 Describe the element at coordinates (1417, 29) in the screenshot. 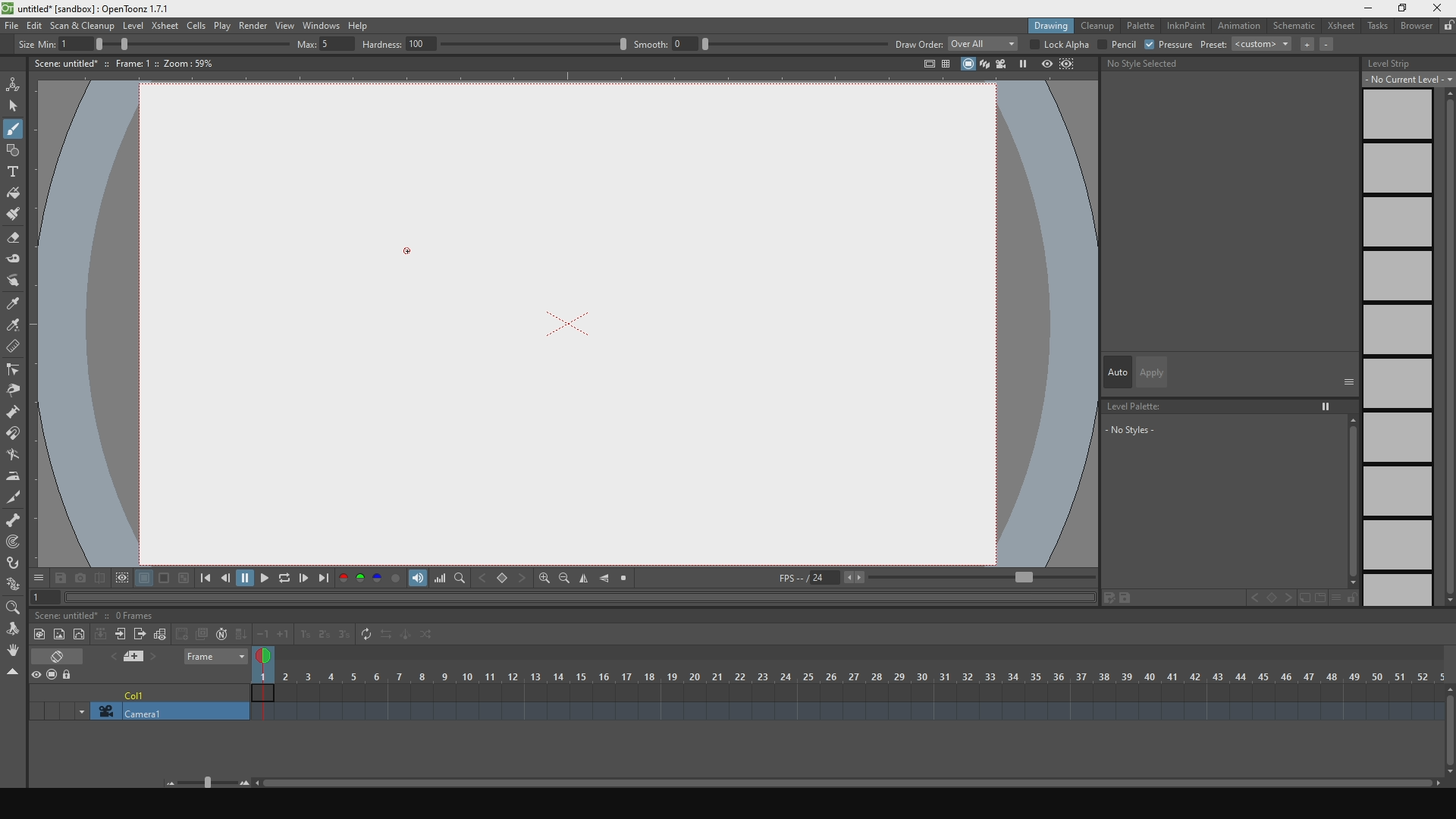

I see `browser` at that location.